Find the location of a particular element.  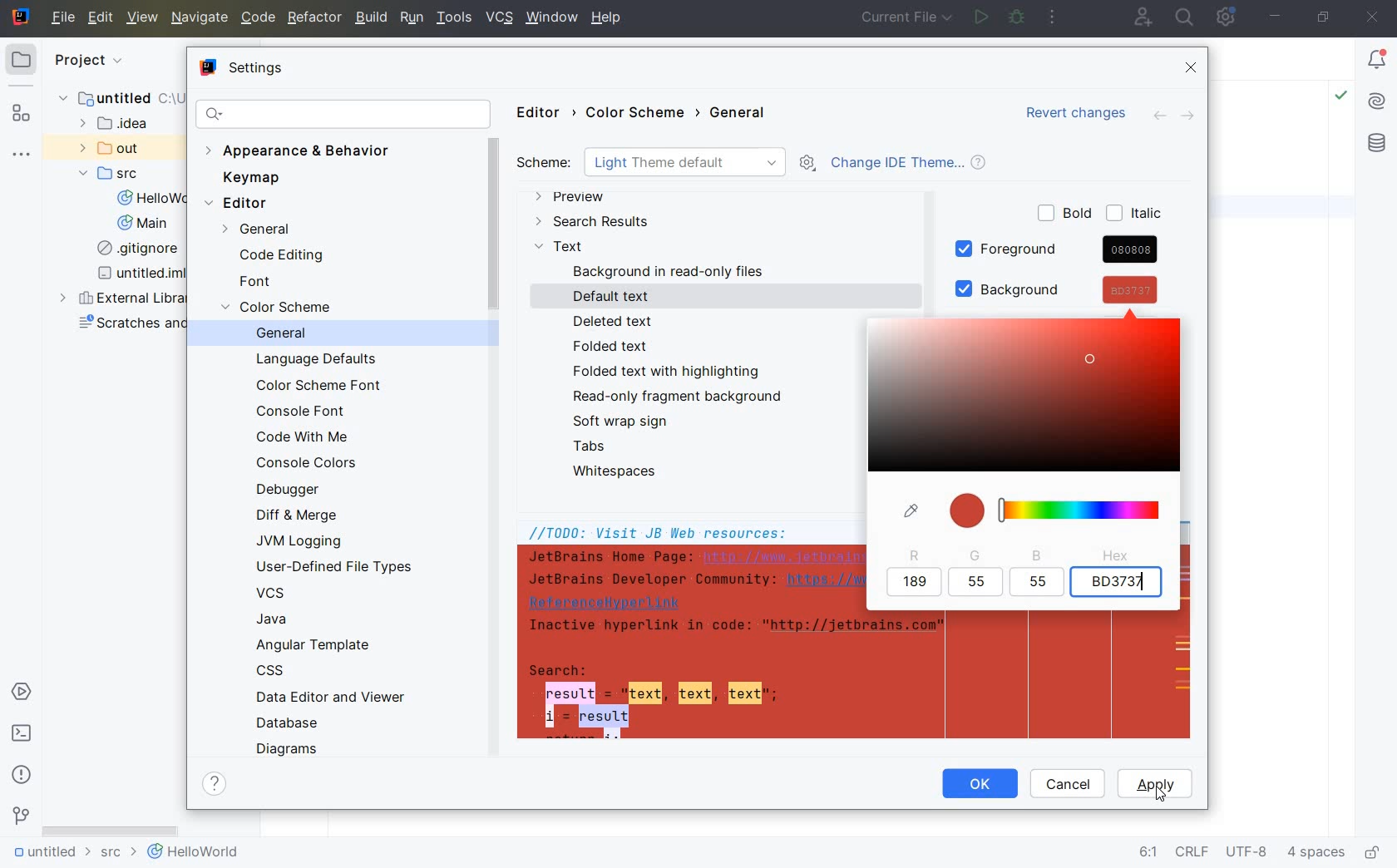

database is located at coordinates (1376, 145).